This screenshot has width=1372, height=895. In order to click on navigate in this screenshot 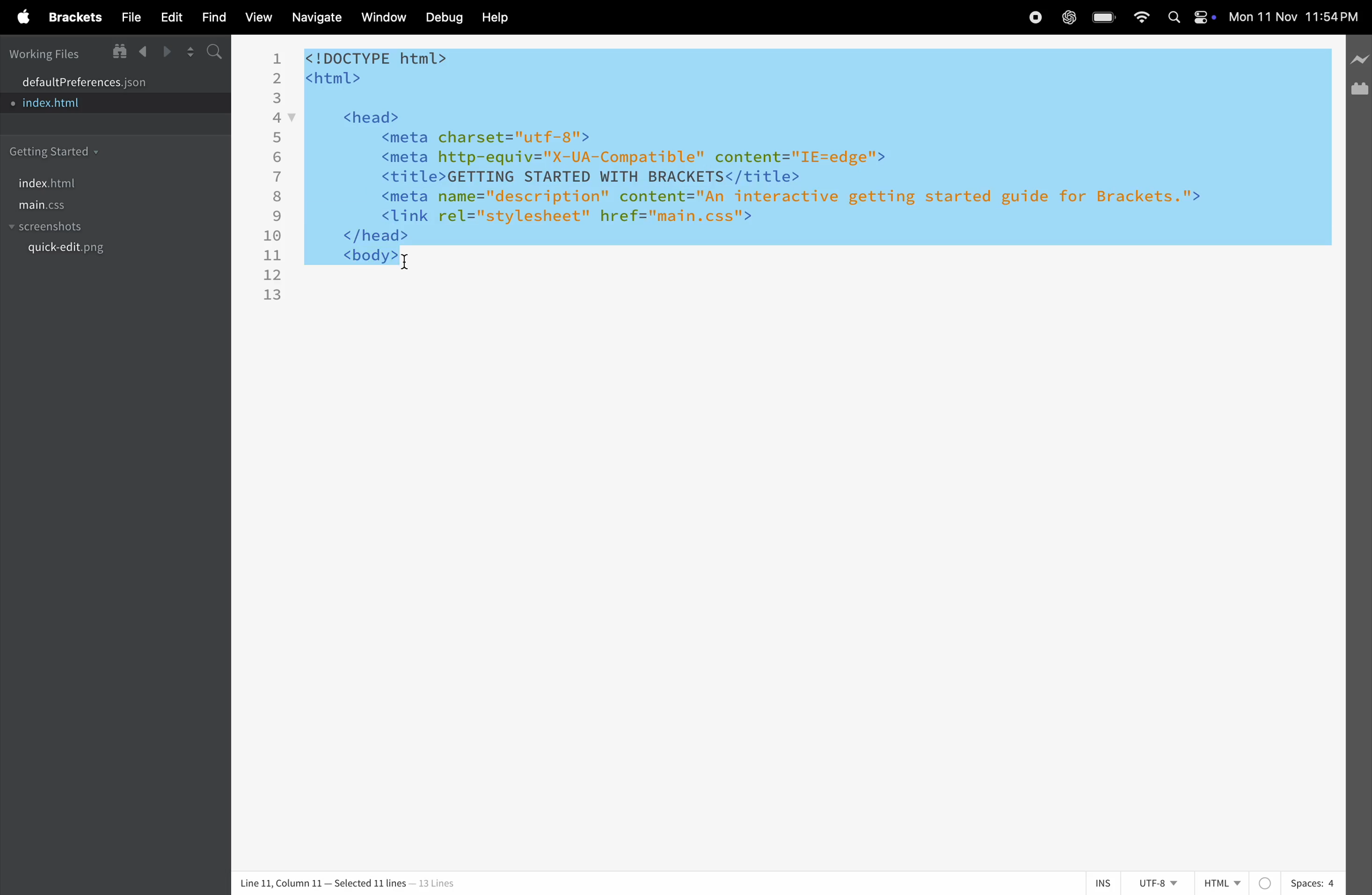, I will do `click(313, 18)`.